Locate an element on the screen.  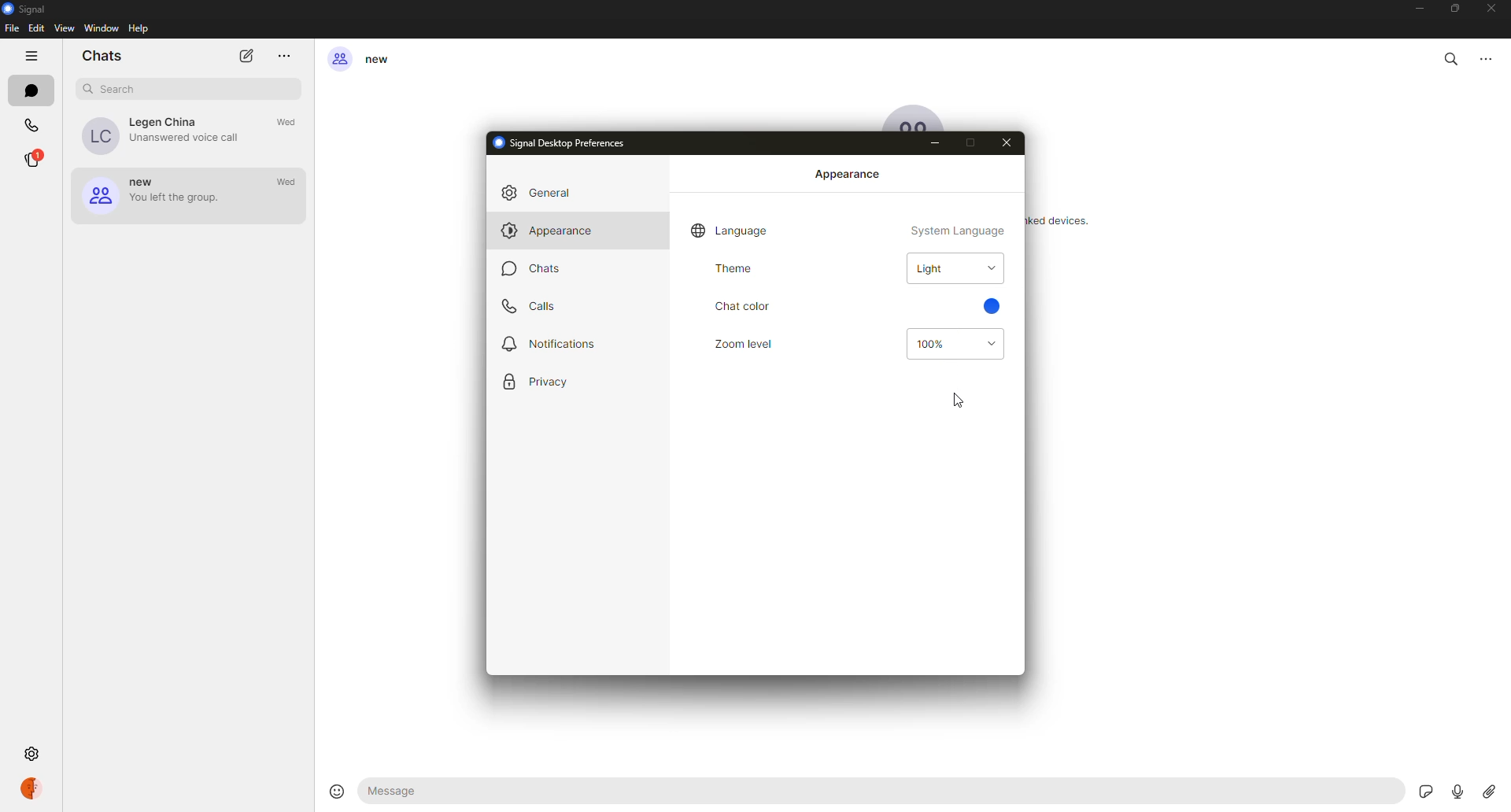
edit is located at coordinates (36, 29).